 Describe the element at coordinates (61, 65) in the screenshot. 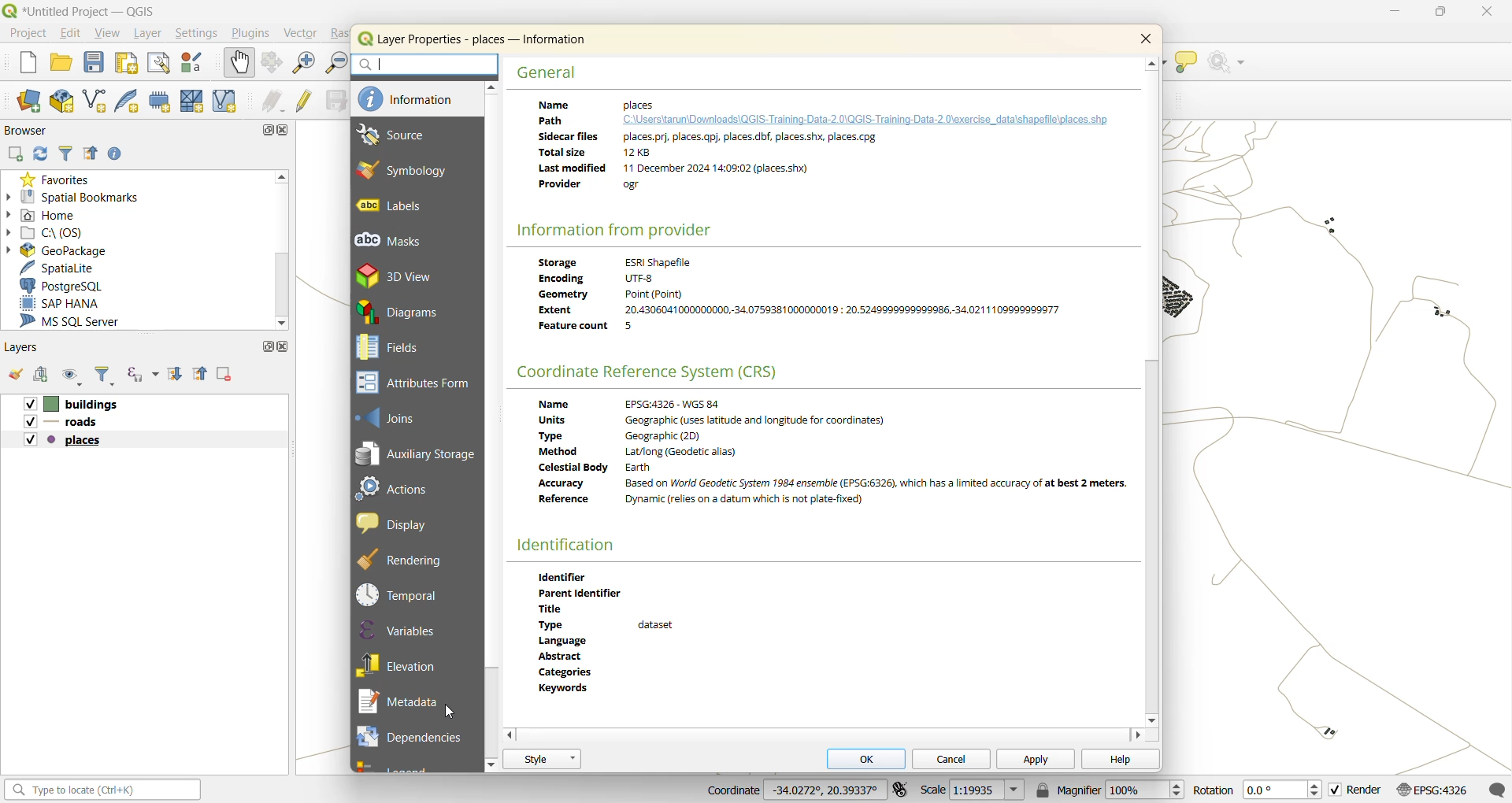

I see `open` at that location.